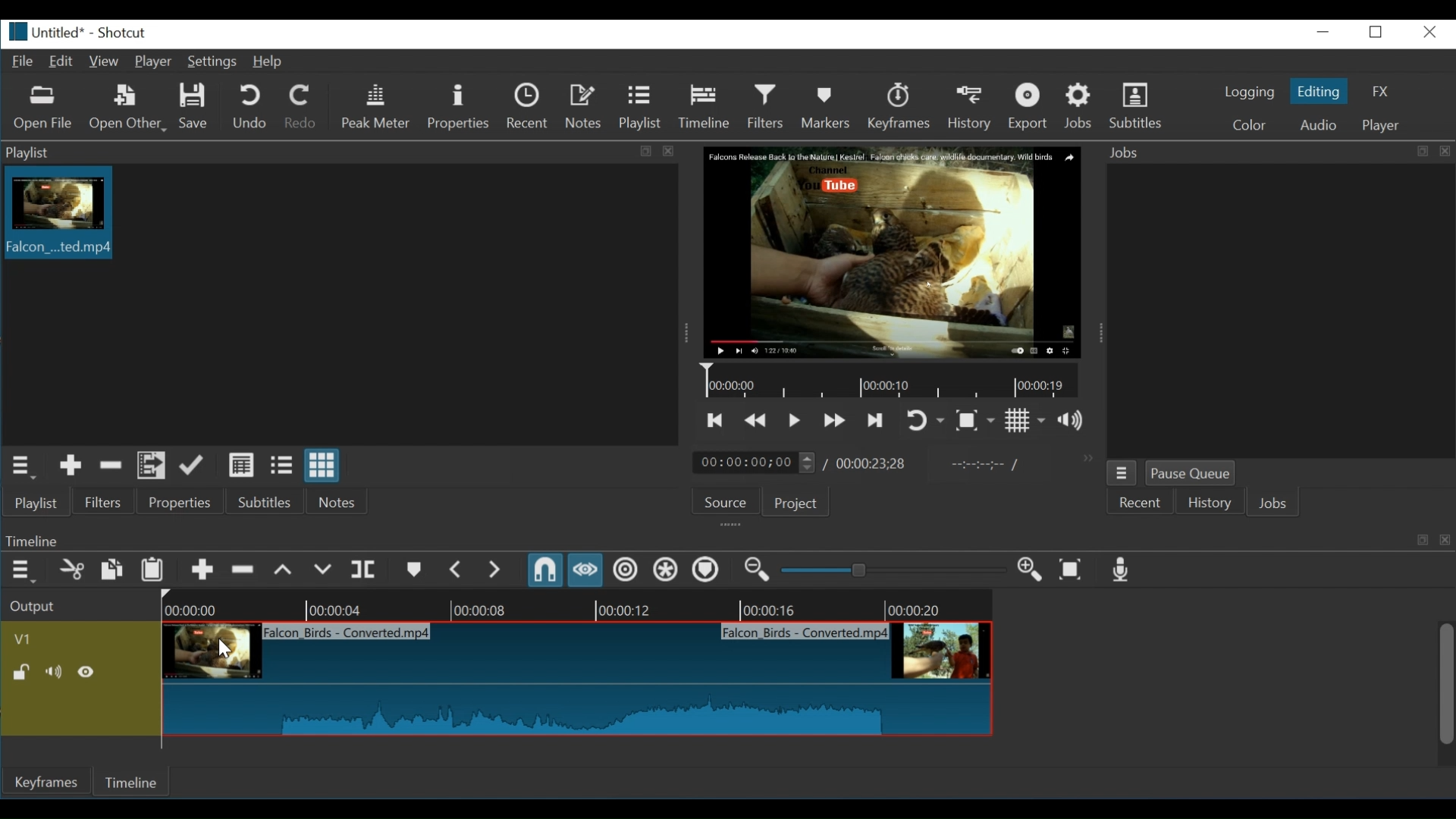  What do you see at coordinates (284, 570) in the screenshot?
I see `lift ` at bounding box center [284, 570].